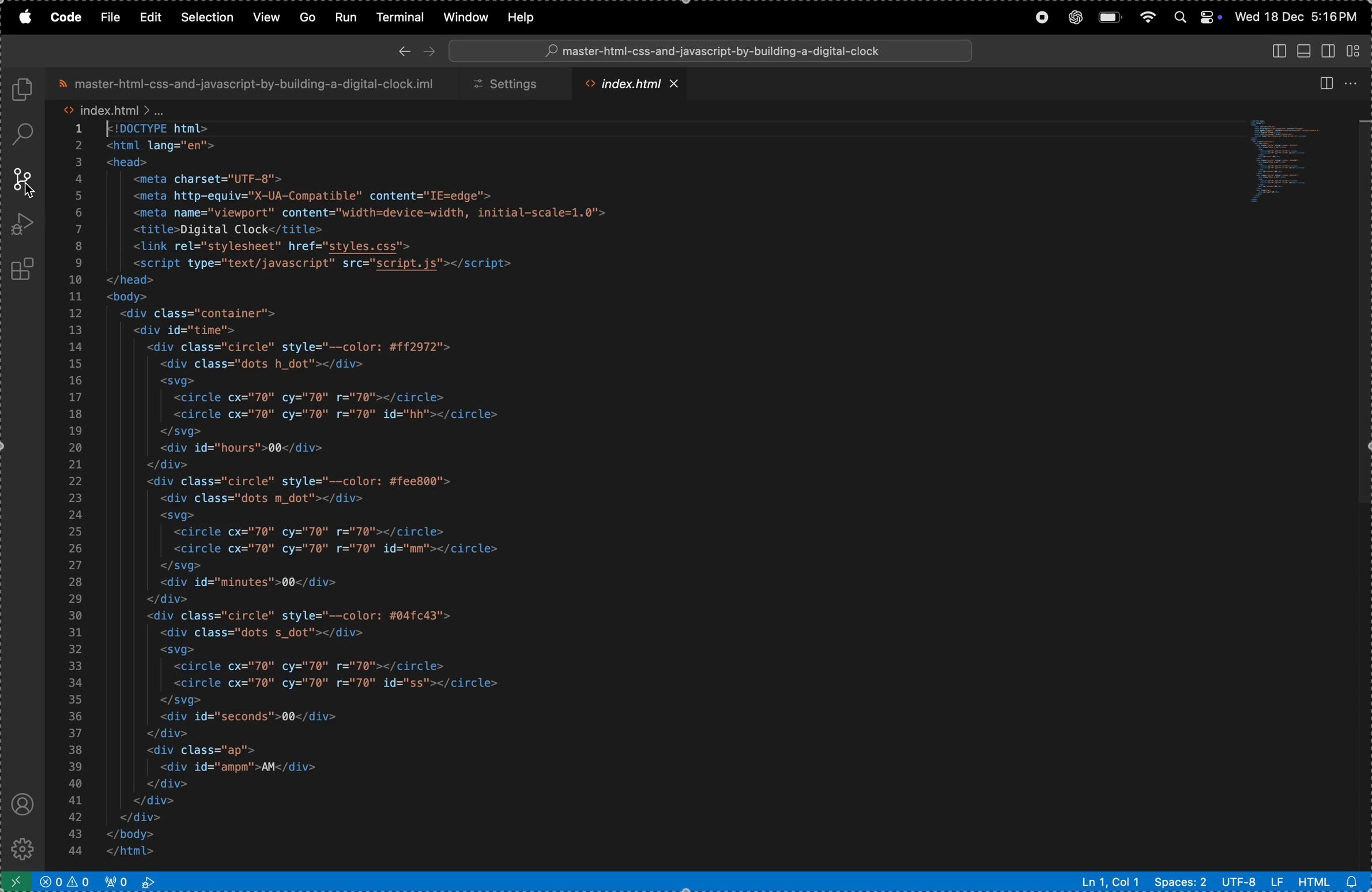 The image size is (1372, 892). What do you see at coordinates (27, 18) in the screenshot?
I see `apple menu` at bounding box center [27, 18].